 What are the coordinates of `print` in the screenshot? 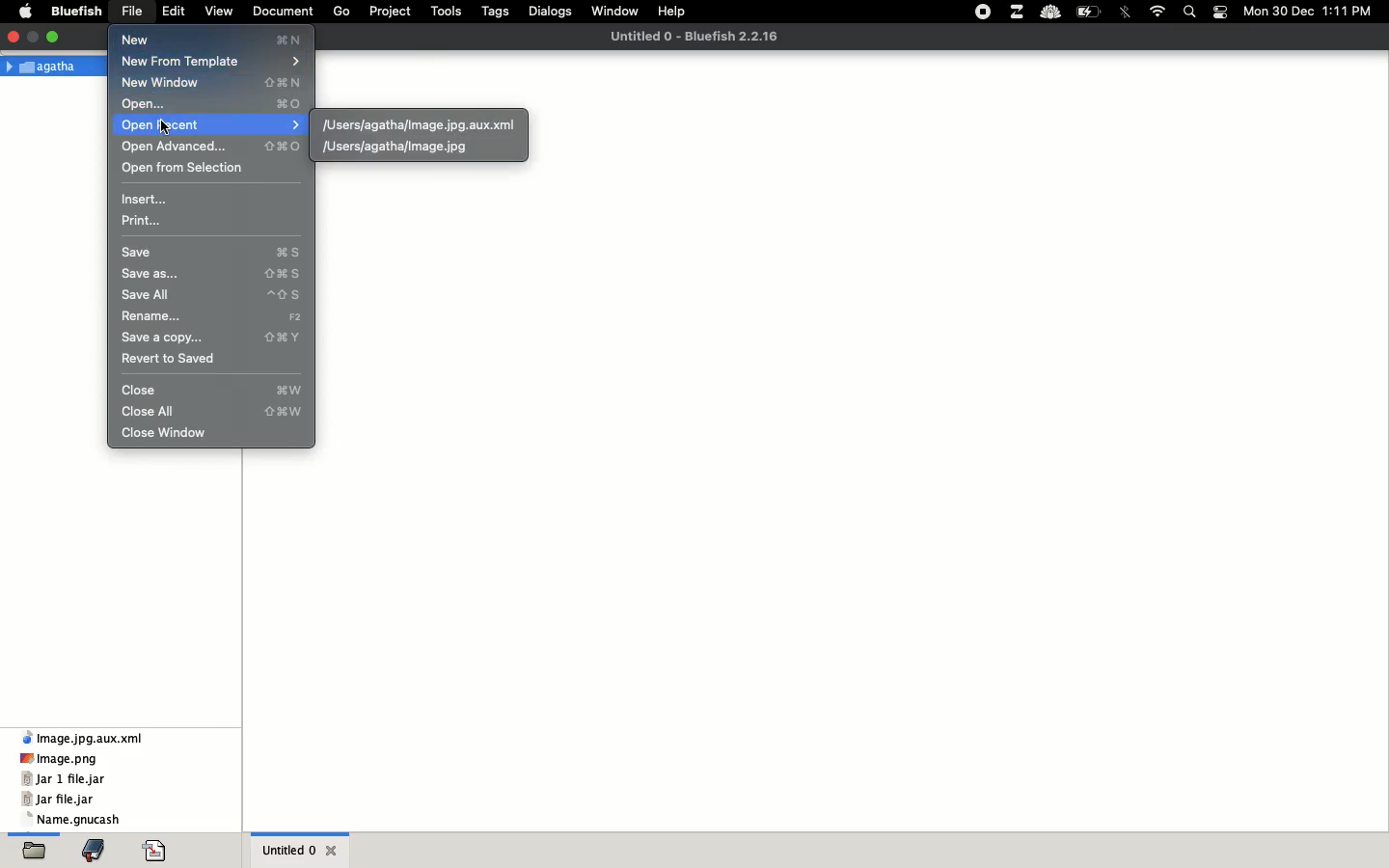 It's located at (143, 221).